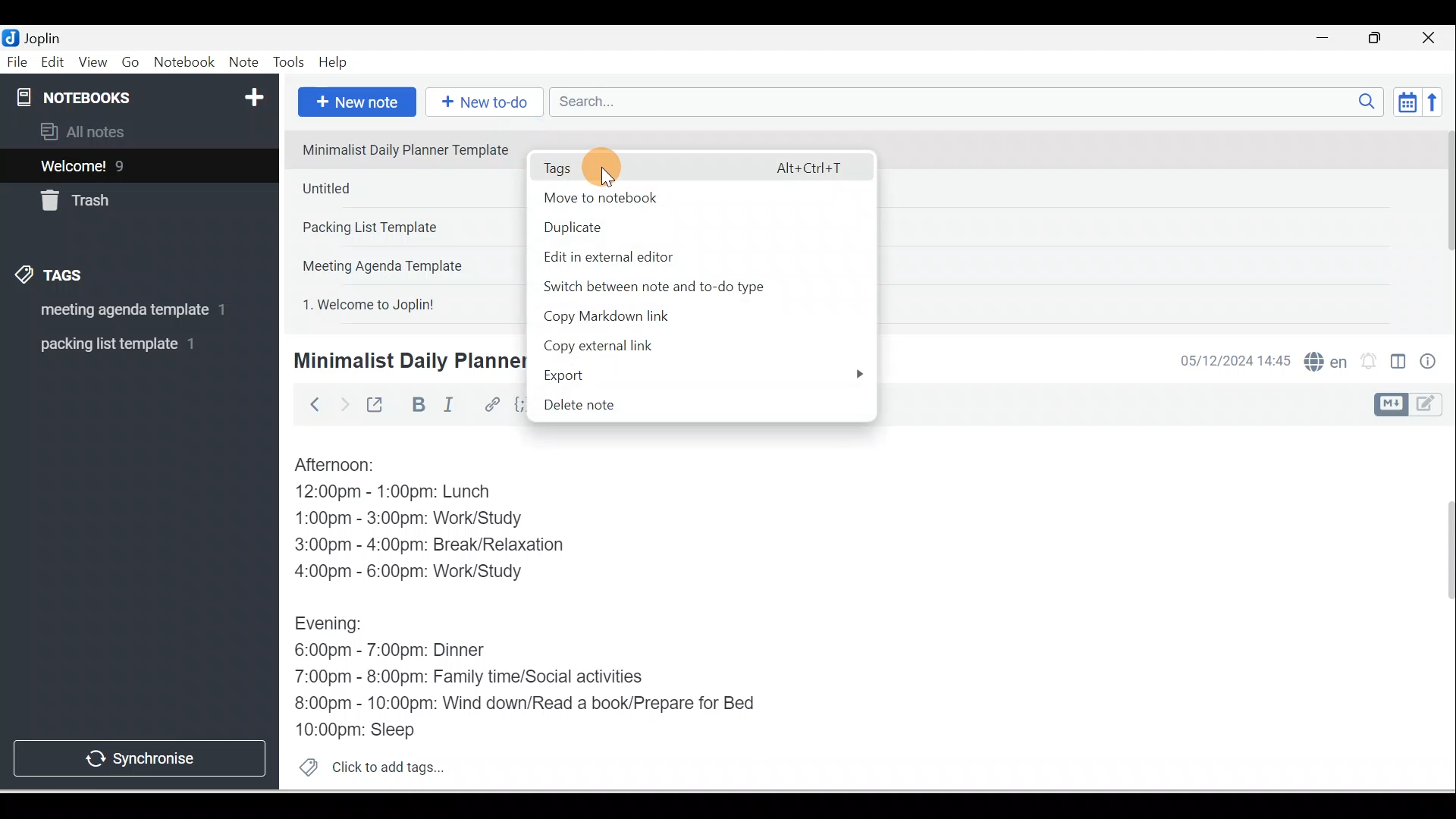 This screenshot has width=1456, height=819. Describe the element at coordinates (406, 361) in the screenshot. I see `Minimalist Daily Planner Template` at that location.